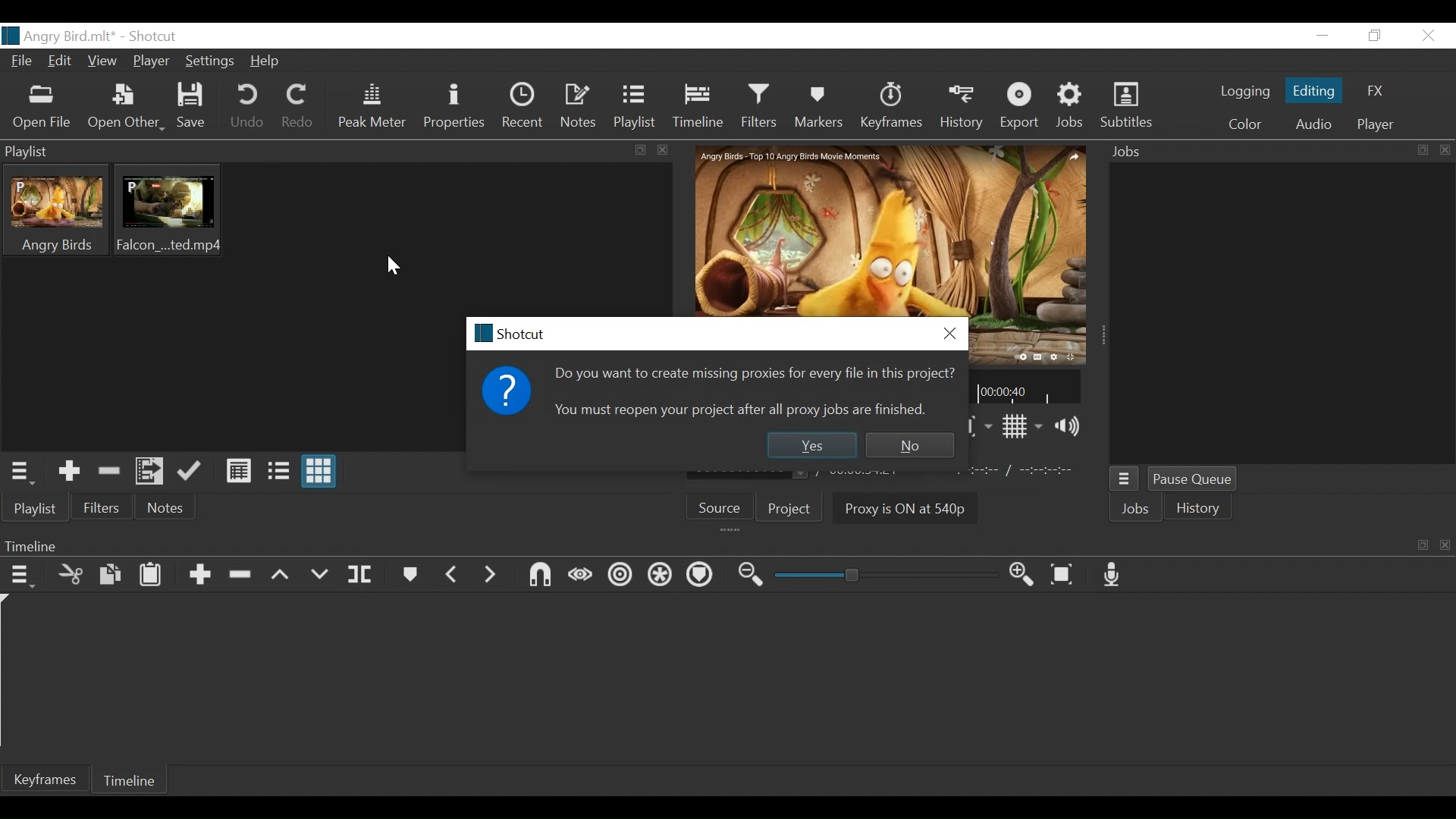  What do you see at coordinates (657, 575) in the screenshot?
I see `Ripple all tracks` at bounding box center [657, 575].